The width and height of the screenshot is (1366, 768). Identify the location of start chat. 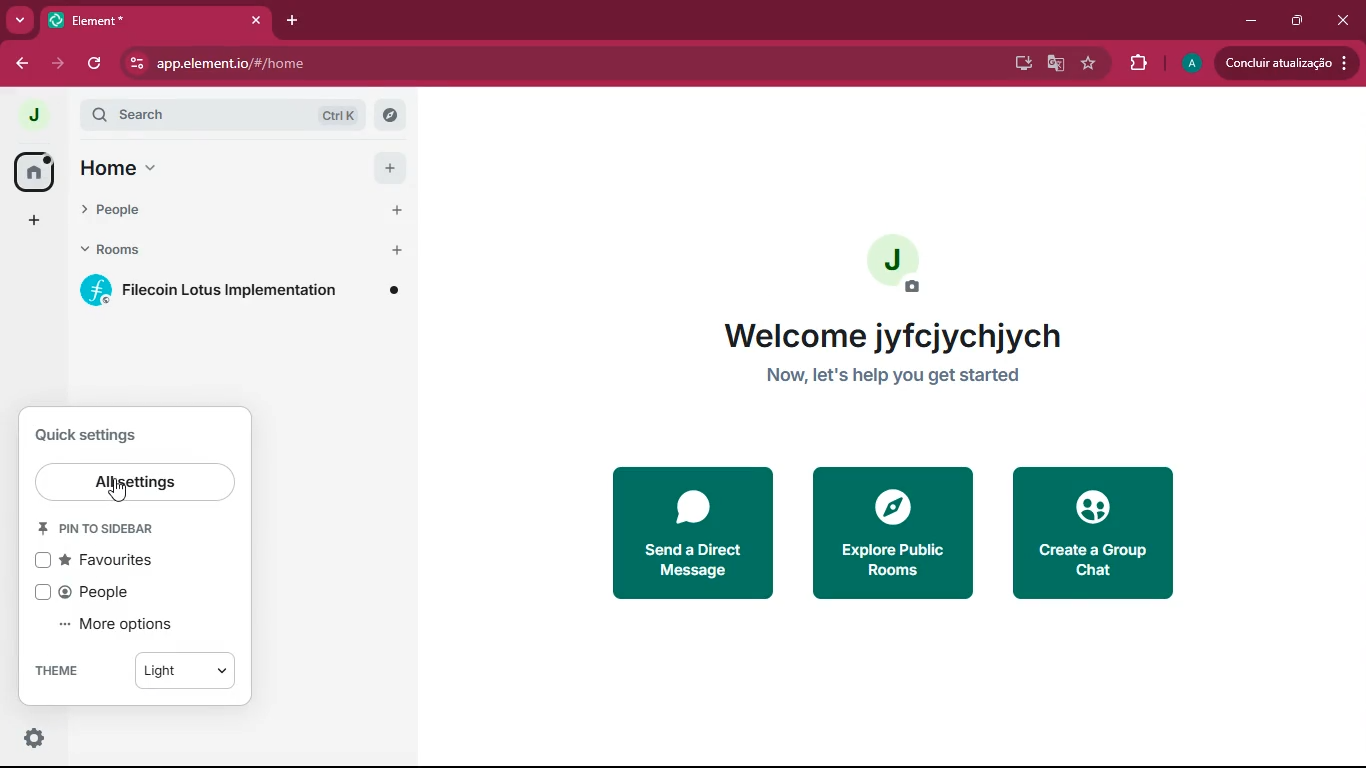
(397, 212).